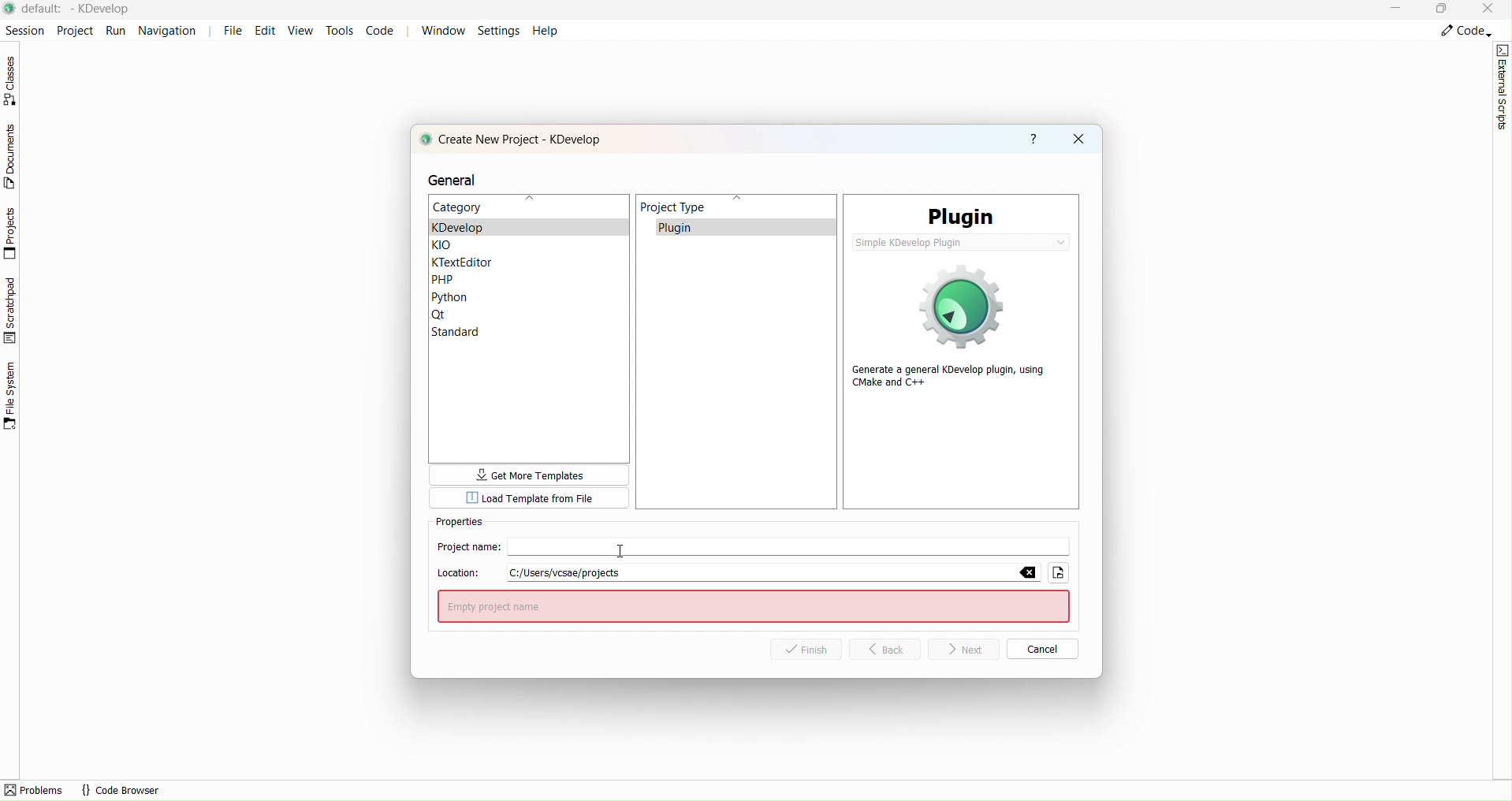  I want to click on file name and application name, so click(80, 9).